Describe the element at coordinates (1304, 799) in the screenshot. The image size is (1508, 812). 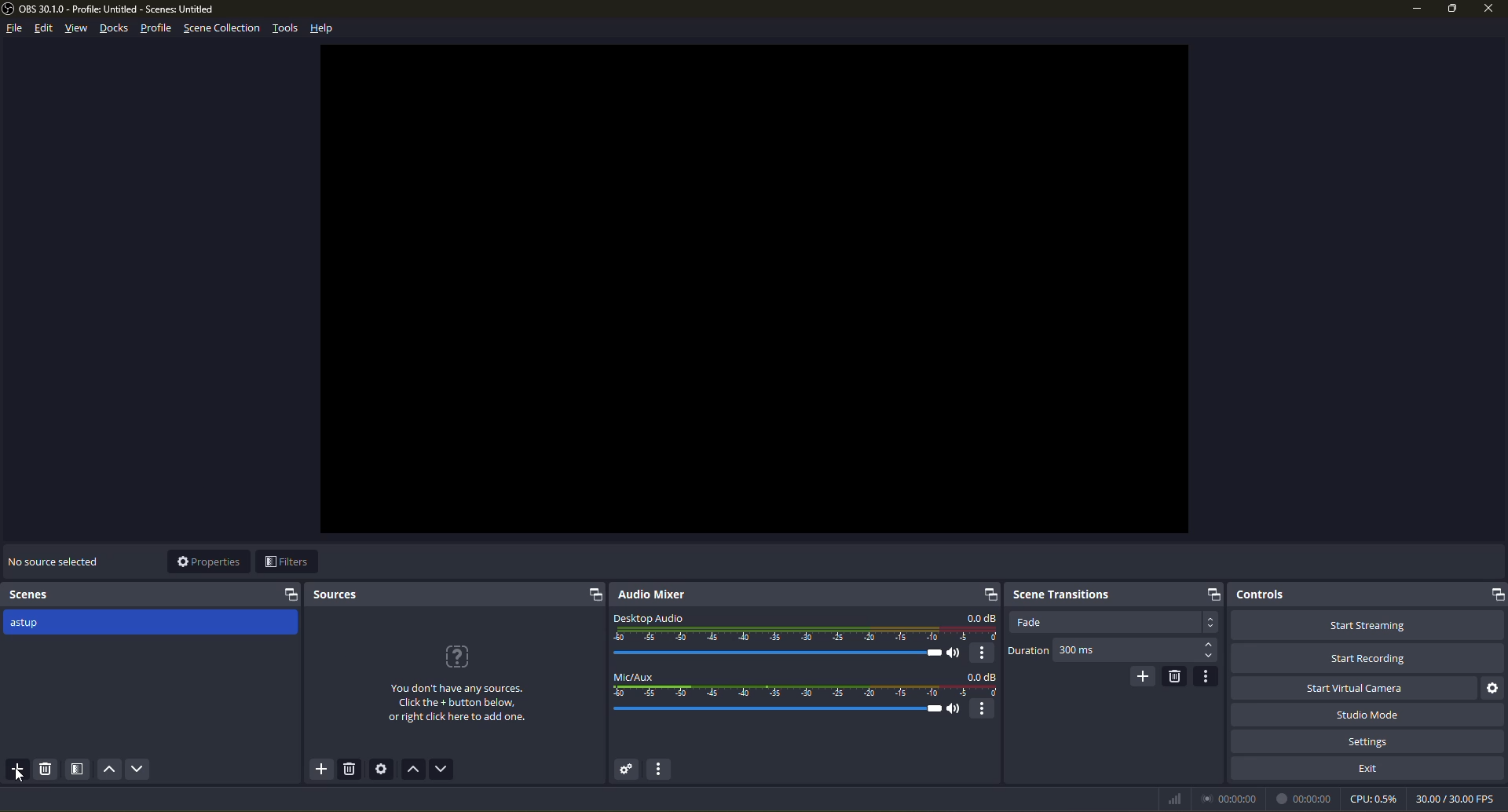
I see `time` at that location.